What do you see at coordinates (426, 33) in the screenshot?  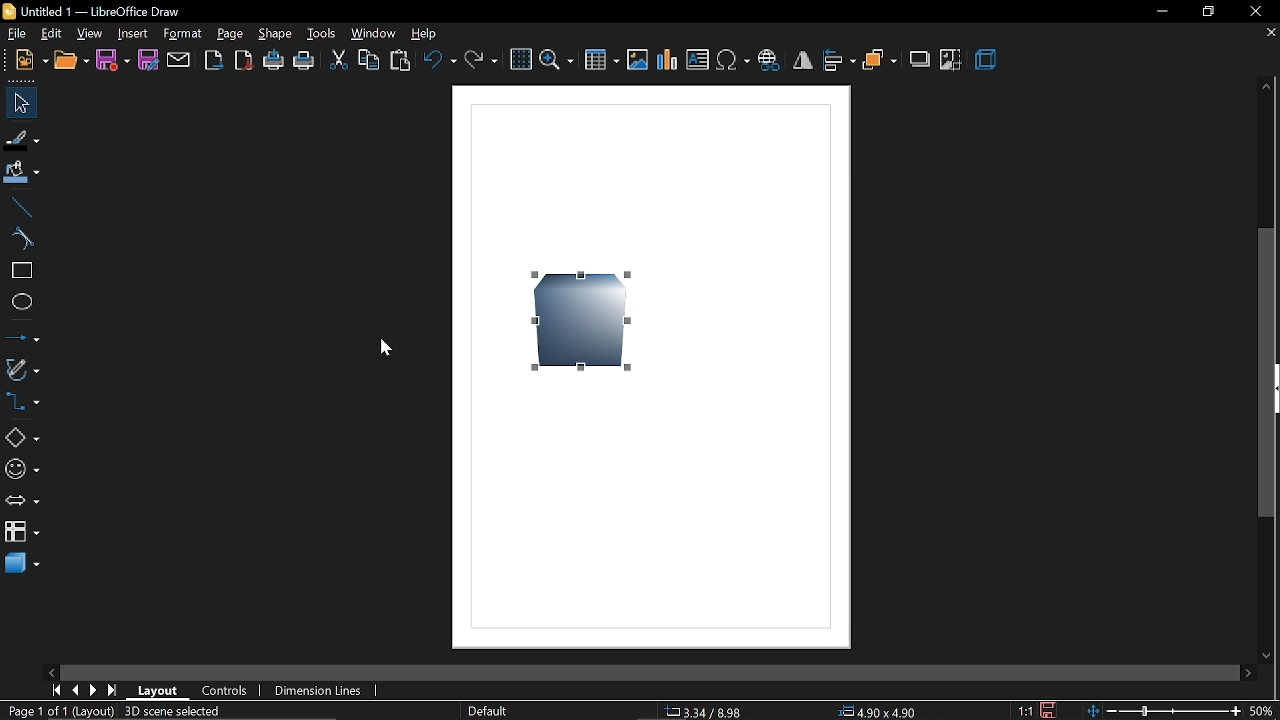 I see `help` at bounding box center [426, 33].